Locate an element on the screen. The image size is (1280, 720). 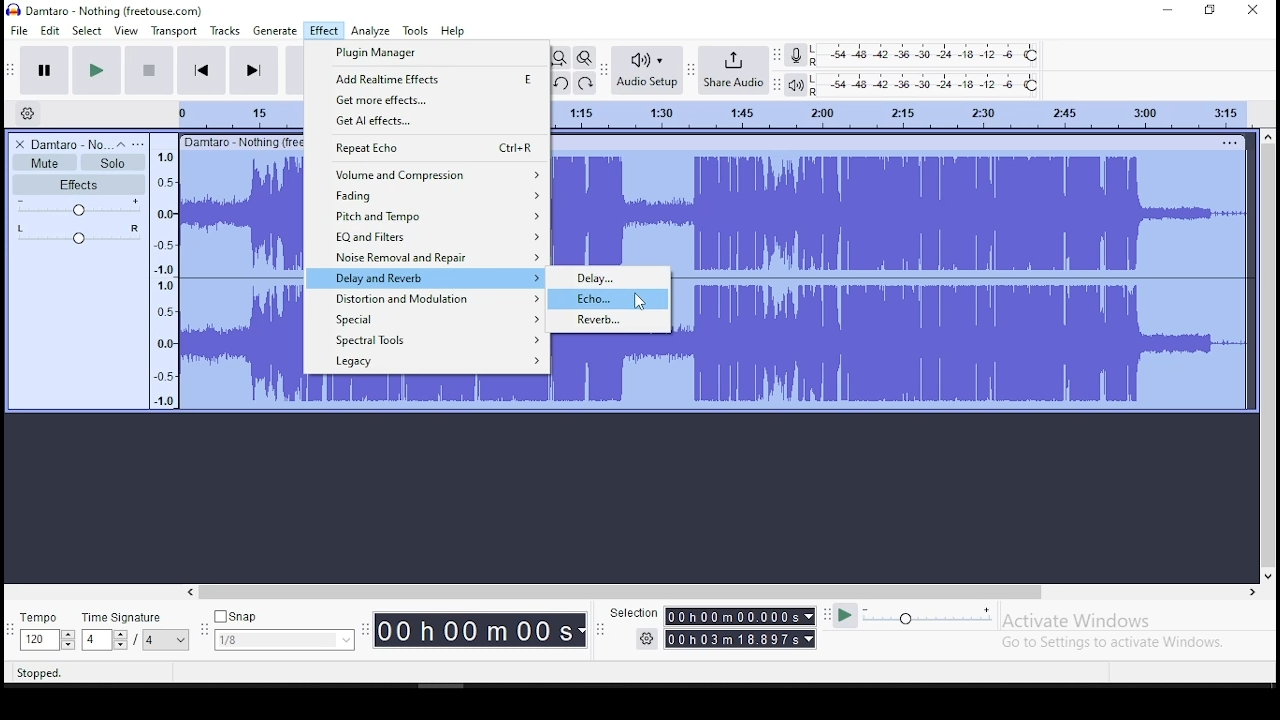
edit is located at coordinates (52, 30).